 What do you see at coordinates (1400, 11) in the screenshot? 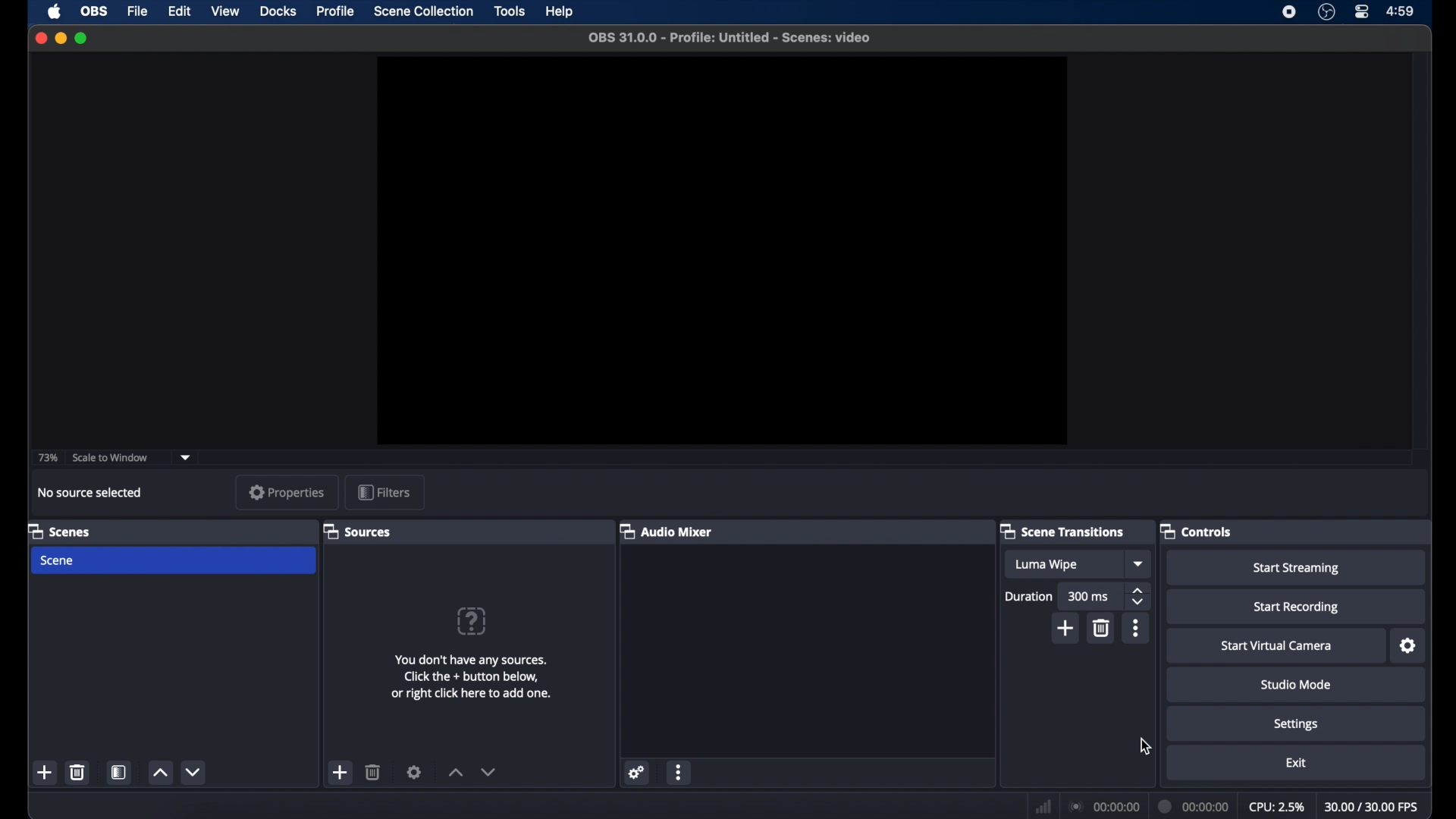
I see `4:59` at bounding box center [1400, 11].